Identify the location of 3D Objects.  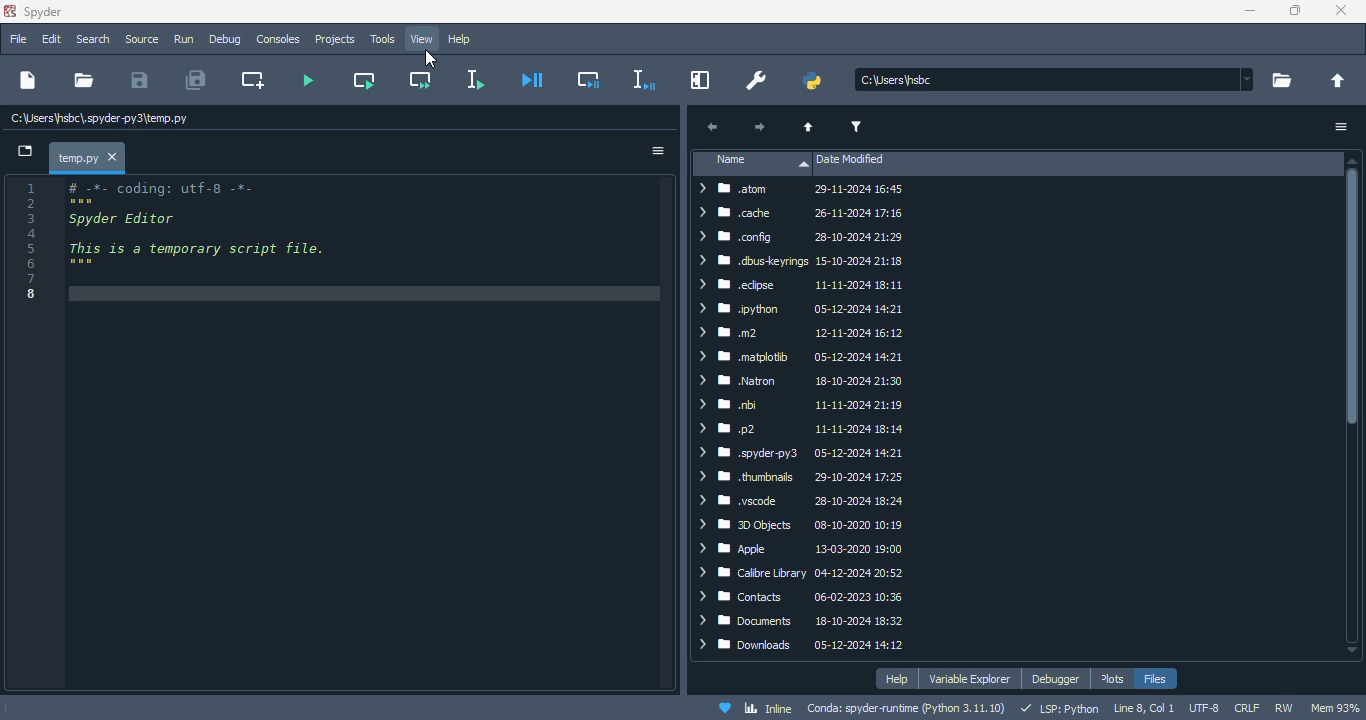
(811, 525).